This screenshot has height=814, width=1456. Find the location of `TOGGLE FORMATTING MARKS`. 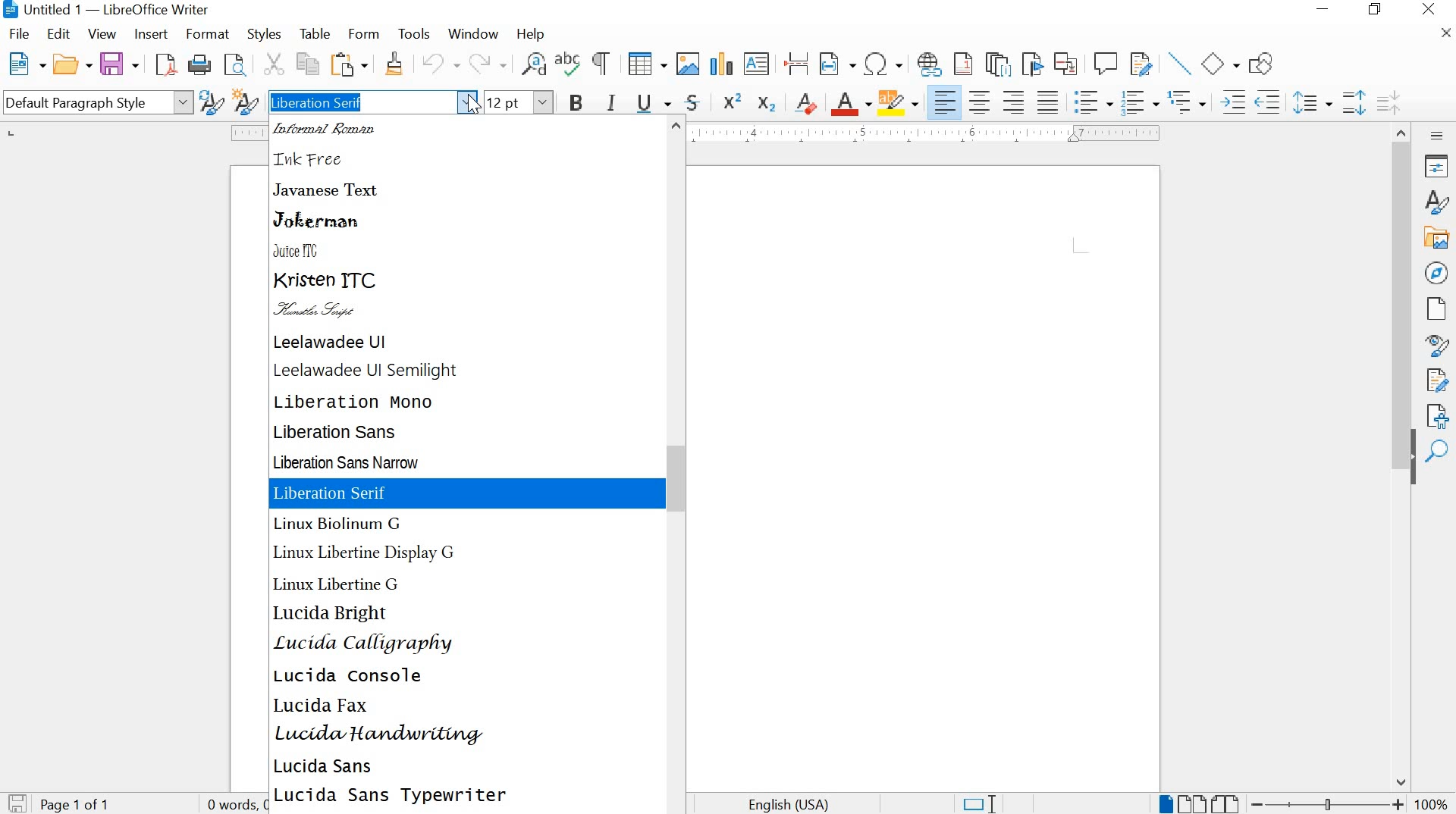

TOGGLE FORMATTING MARKS is located at coordinates (600, 64).